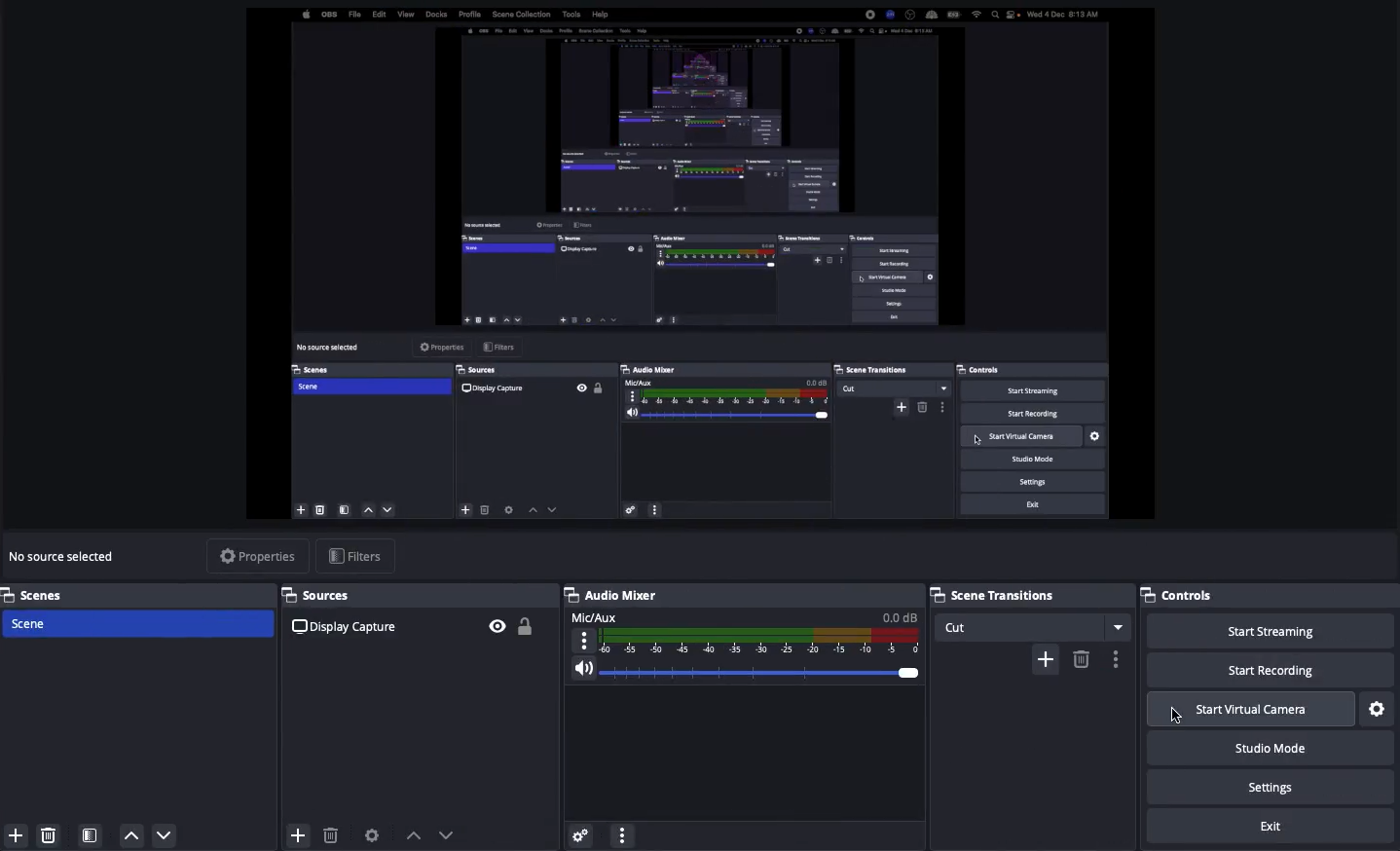 Image resolution: width=1400 pixels, height=851 pixels. What do you see at coordinates (1248, 710) in the screenshot?
I see `Start virtual camera` at bounding box center [1248, 710].